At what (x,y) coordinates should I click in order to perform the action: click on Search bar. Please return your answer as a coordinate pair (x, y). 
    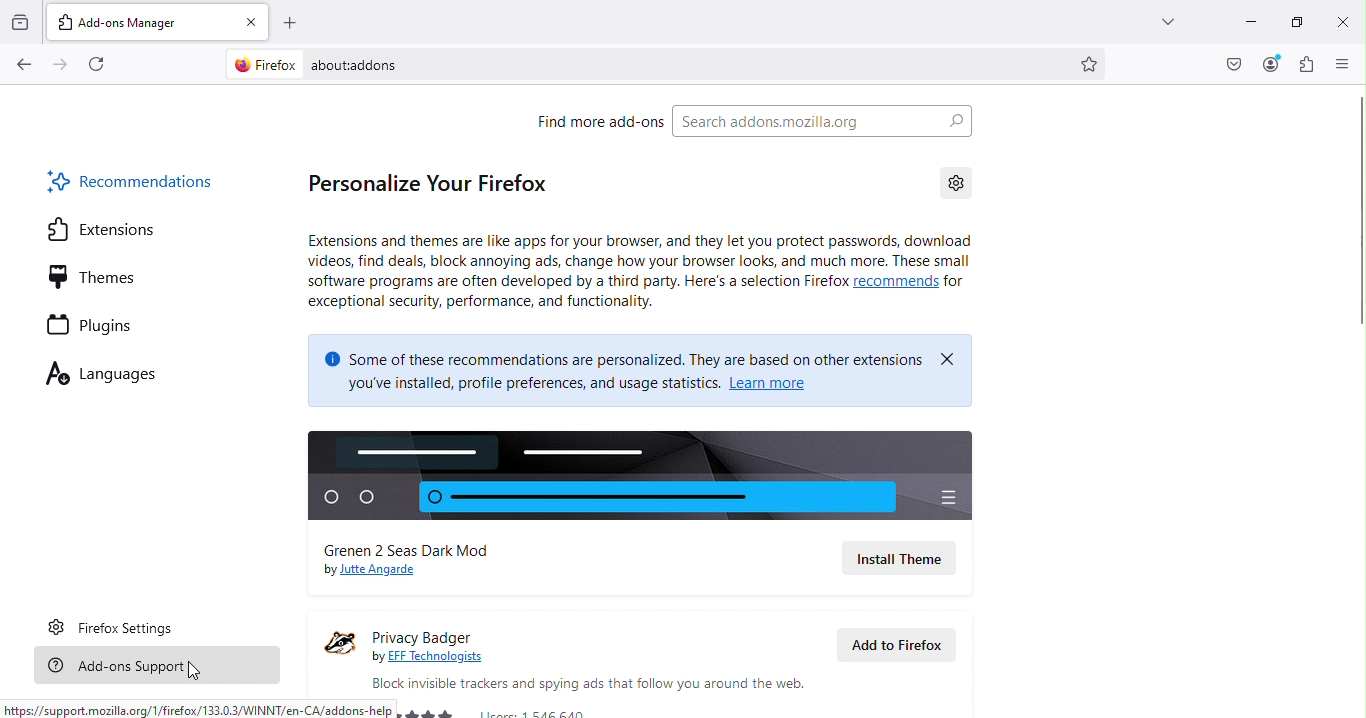
    Looking at the image, I should click on (822, 122).